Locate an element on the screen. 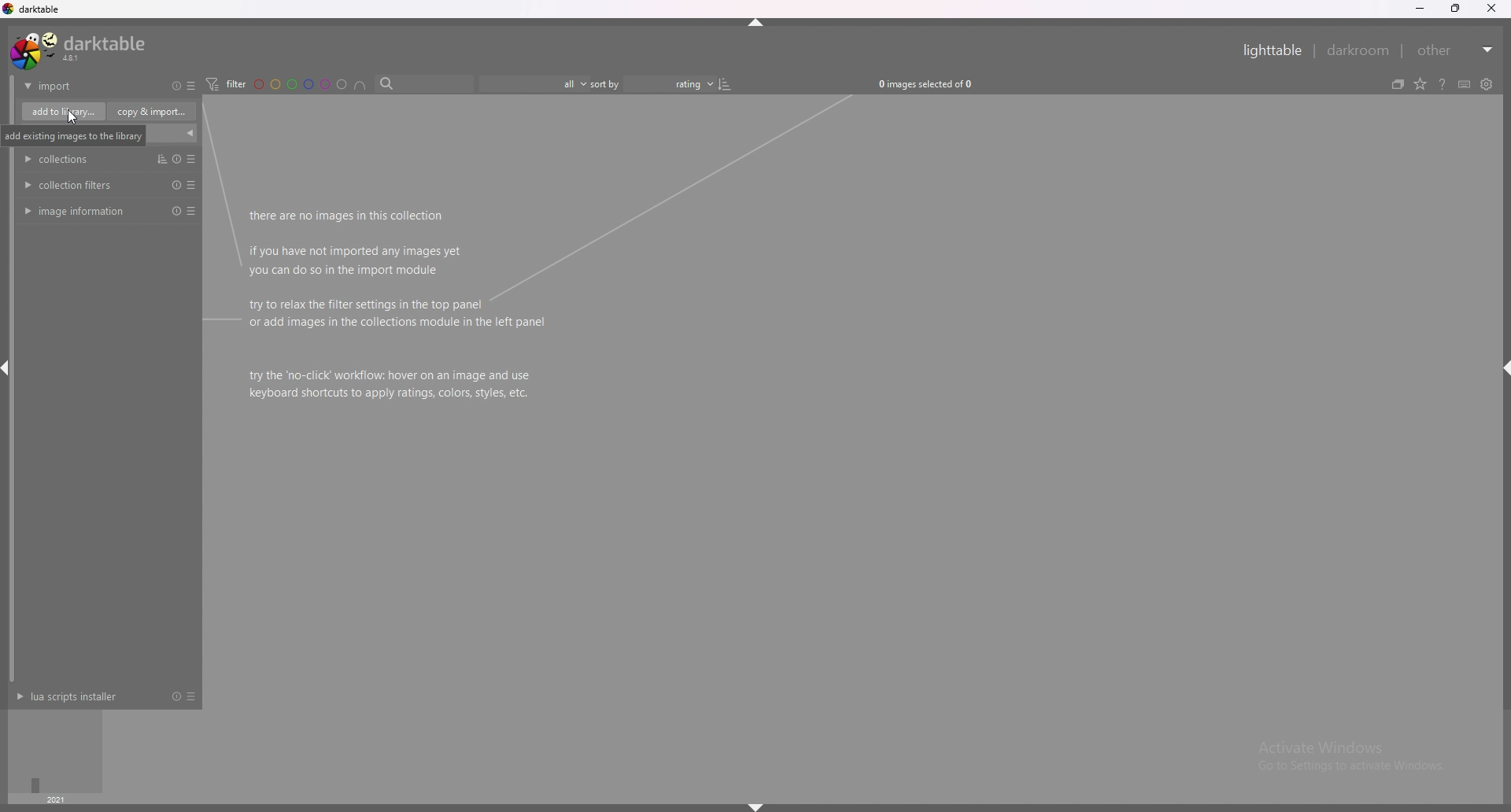  filter is located at coordinates (226, 84).